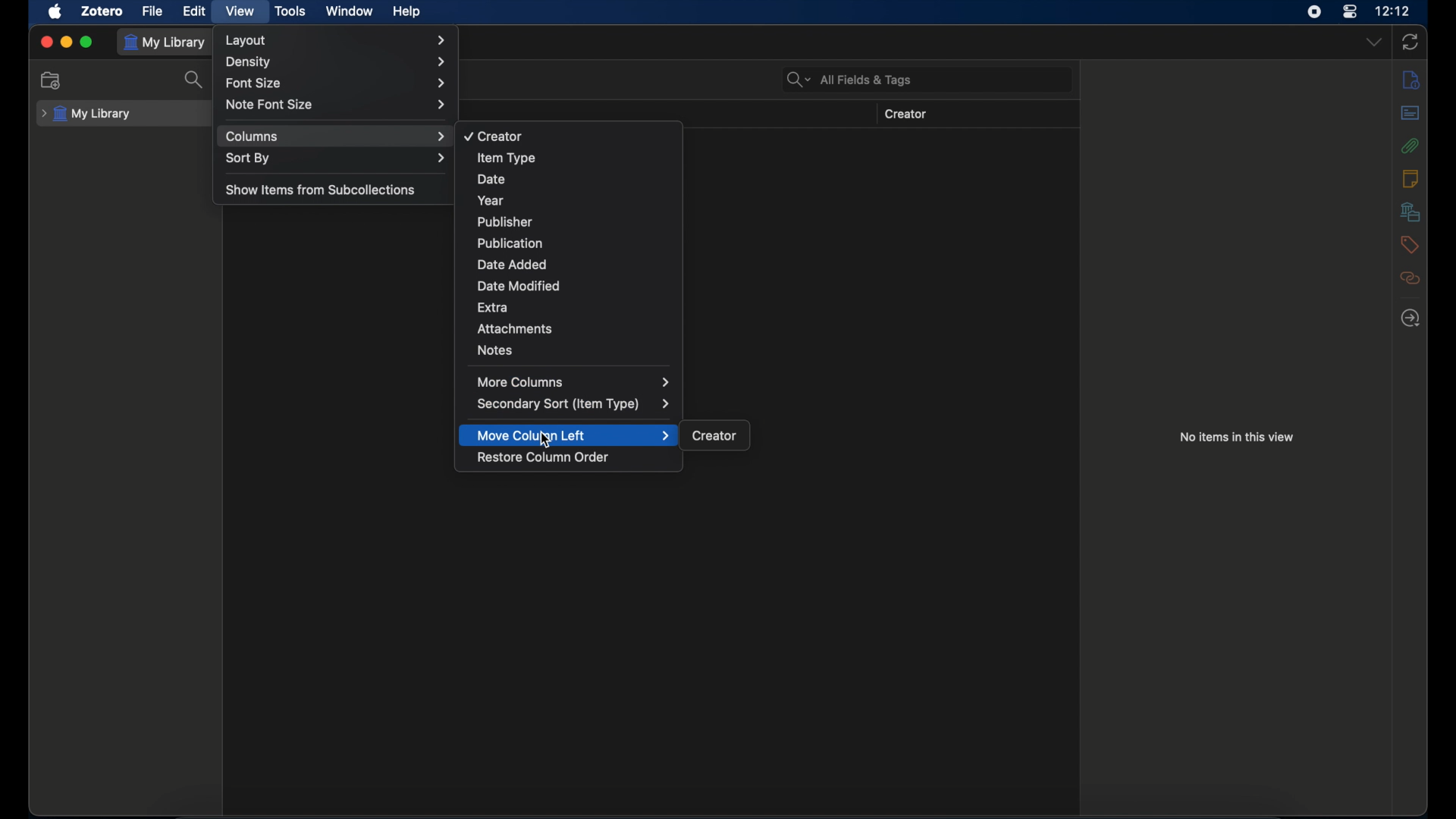  What do you see at coordinates (1351, 12) in the screenshot?
I see `control center` at bounding box center [1351, 12].